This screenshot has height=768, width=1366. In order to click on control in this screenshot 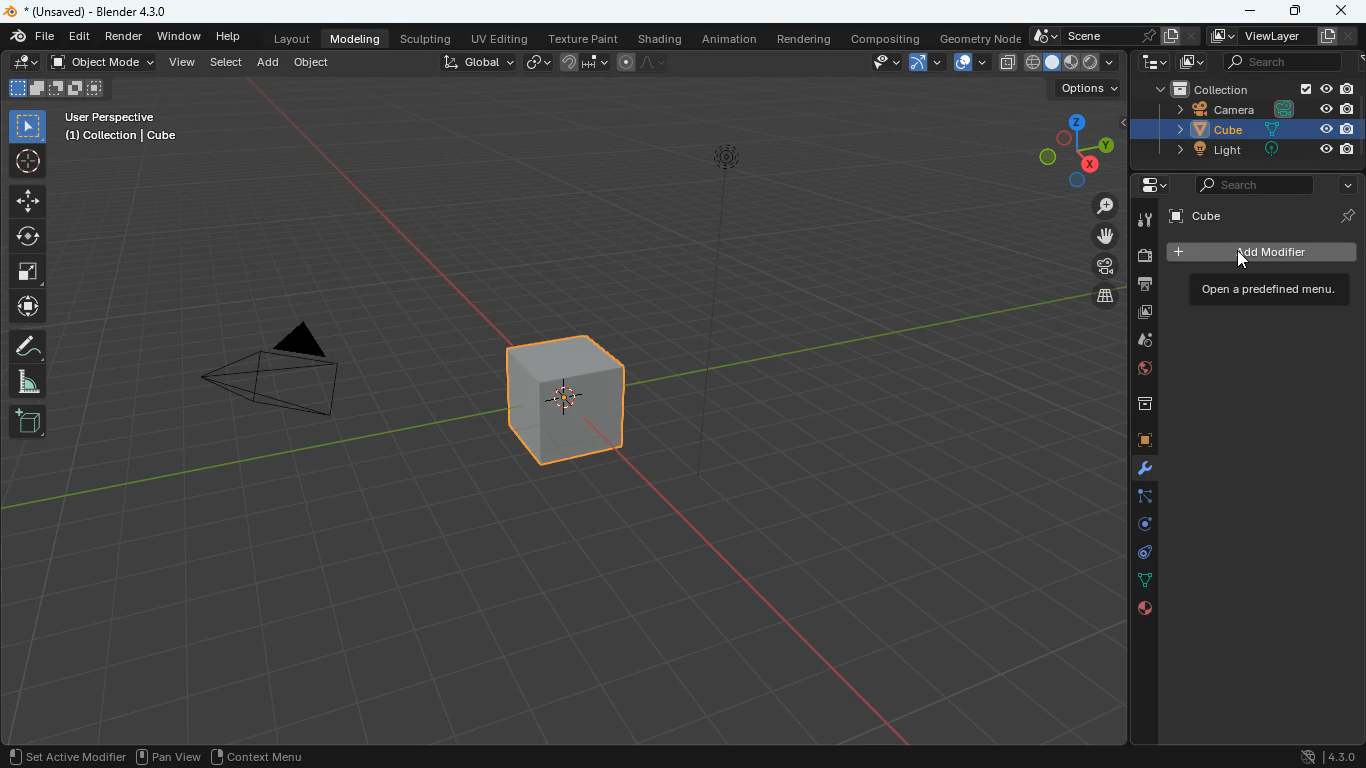, I will do `click(1135, 554)`.